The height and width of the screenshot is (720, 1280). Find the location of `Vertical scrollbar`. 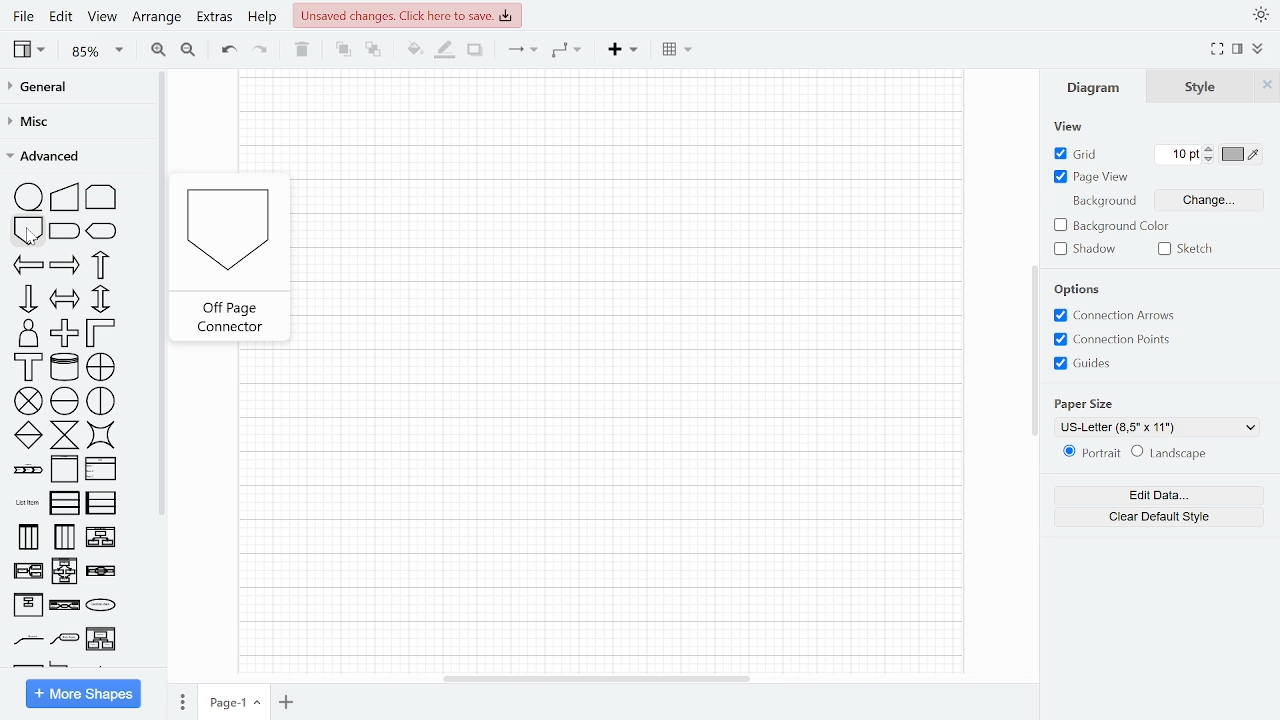

Vertical scrollbar is located at coordinates (1034, 350).